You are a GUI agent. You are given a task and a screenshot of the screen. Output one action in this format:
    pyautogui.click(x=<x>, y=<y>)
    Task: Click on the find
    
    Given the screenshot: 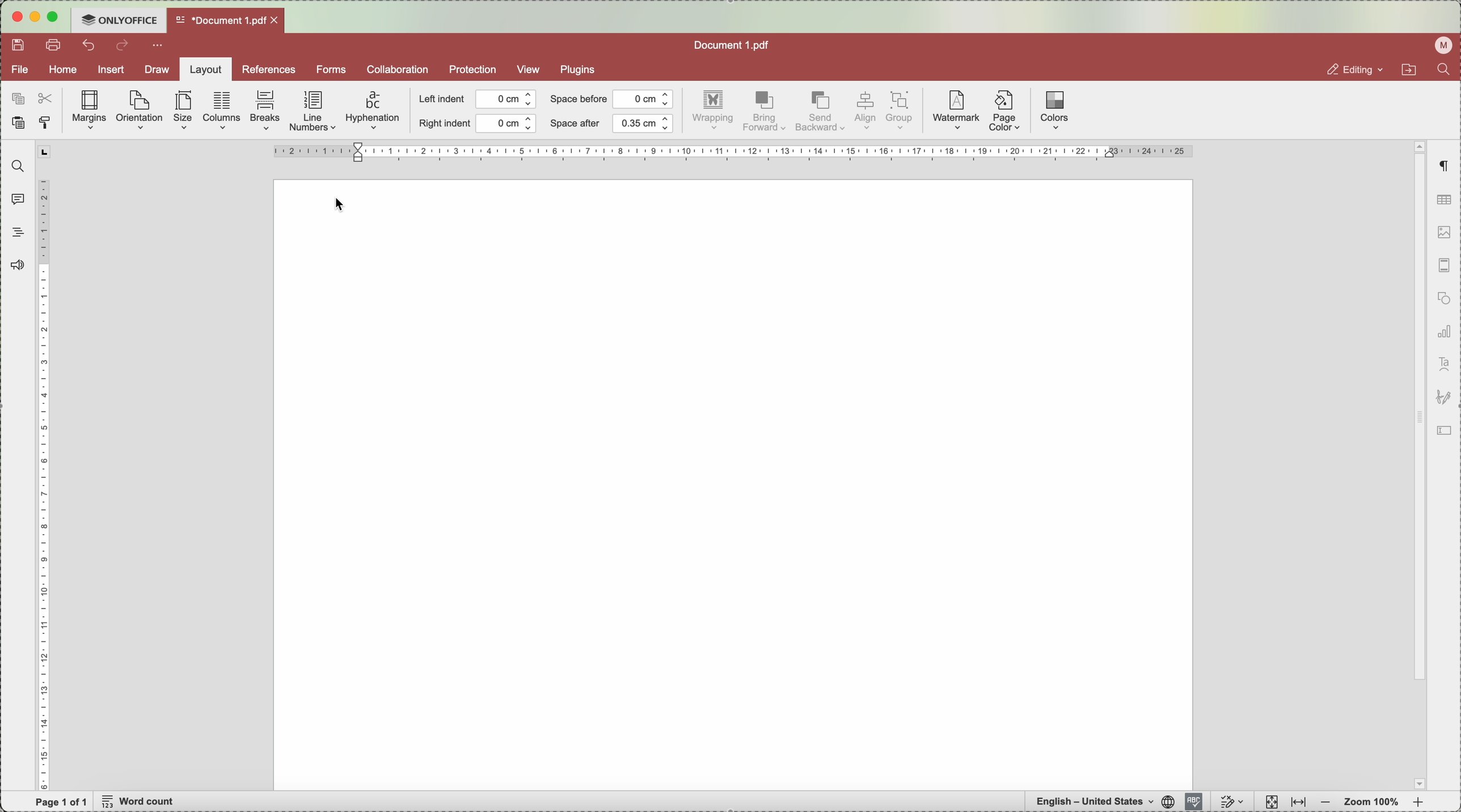 What is the action you would take?
    pyautogui.click(x=1447, y=72)
    